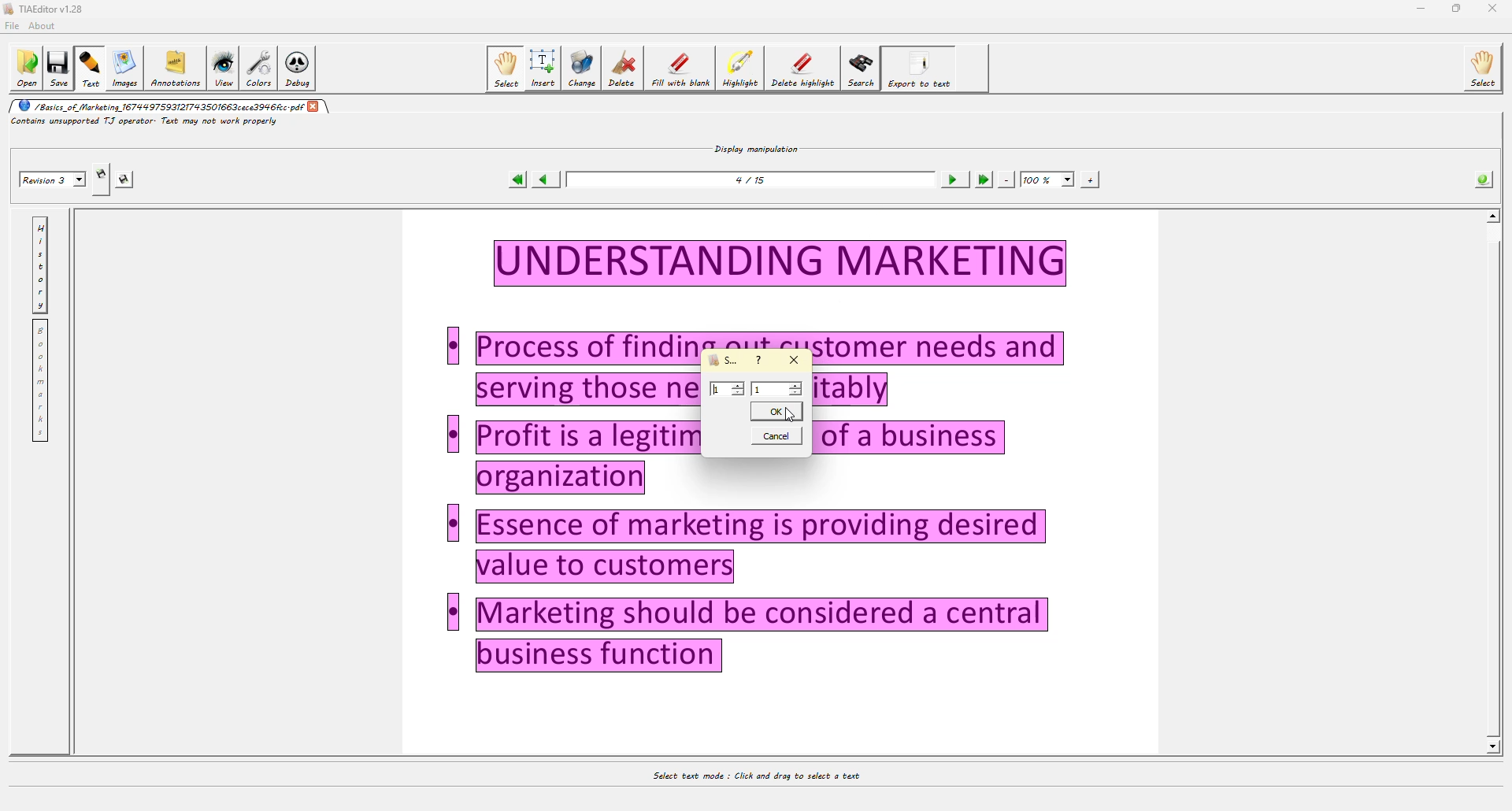  Describe the element at coordinates (740, 69) in the screenshot. I see `highlight` at that location.